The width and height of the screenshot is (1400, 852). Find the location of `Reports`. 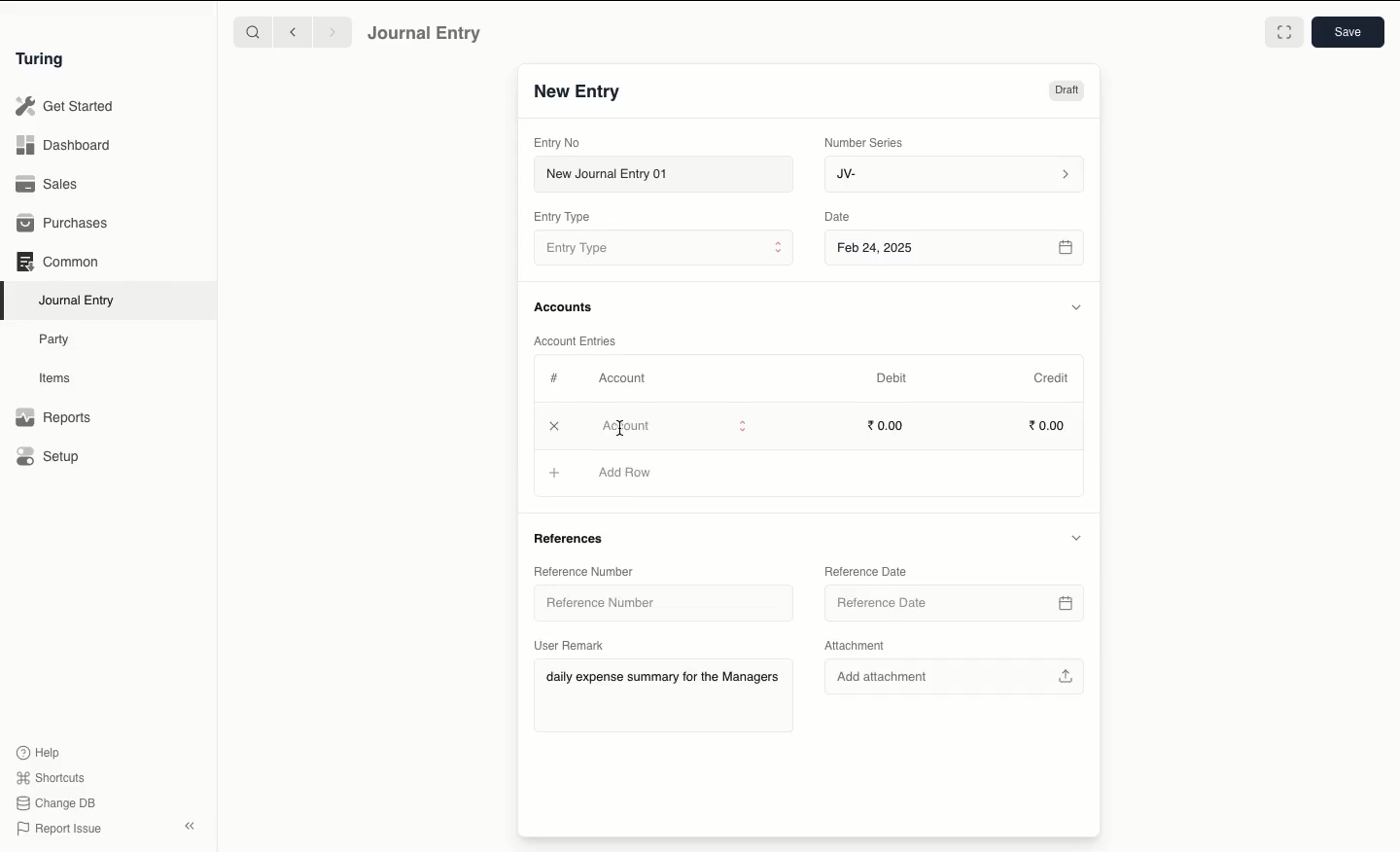

Reports is located at coordinates (53, 417).